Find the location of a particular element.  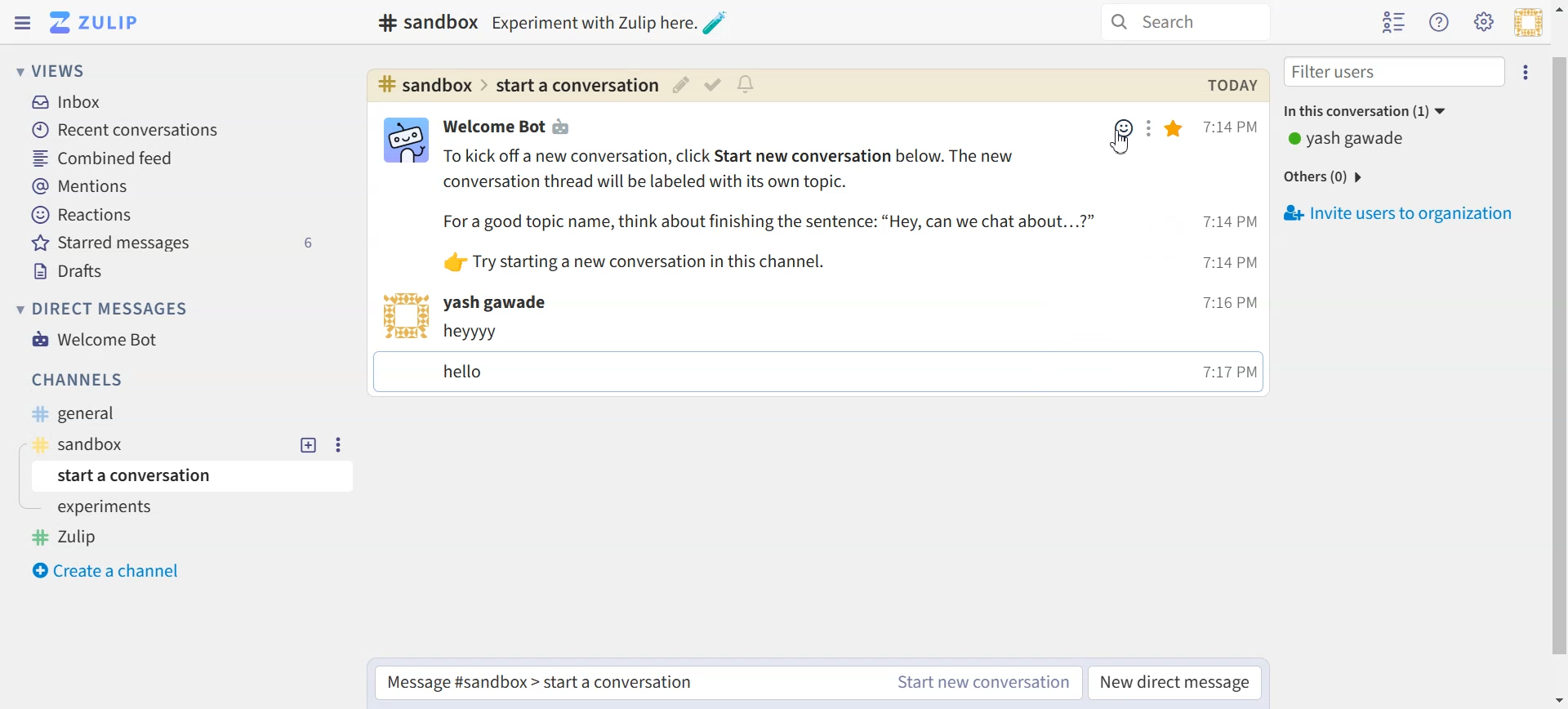

Main menu is located at coordinates (1484, 22).